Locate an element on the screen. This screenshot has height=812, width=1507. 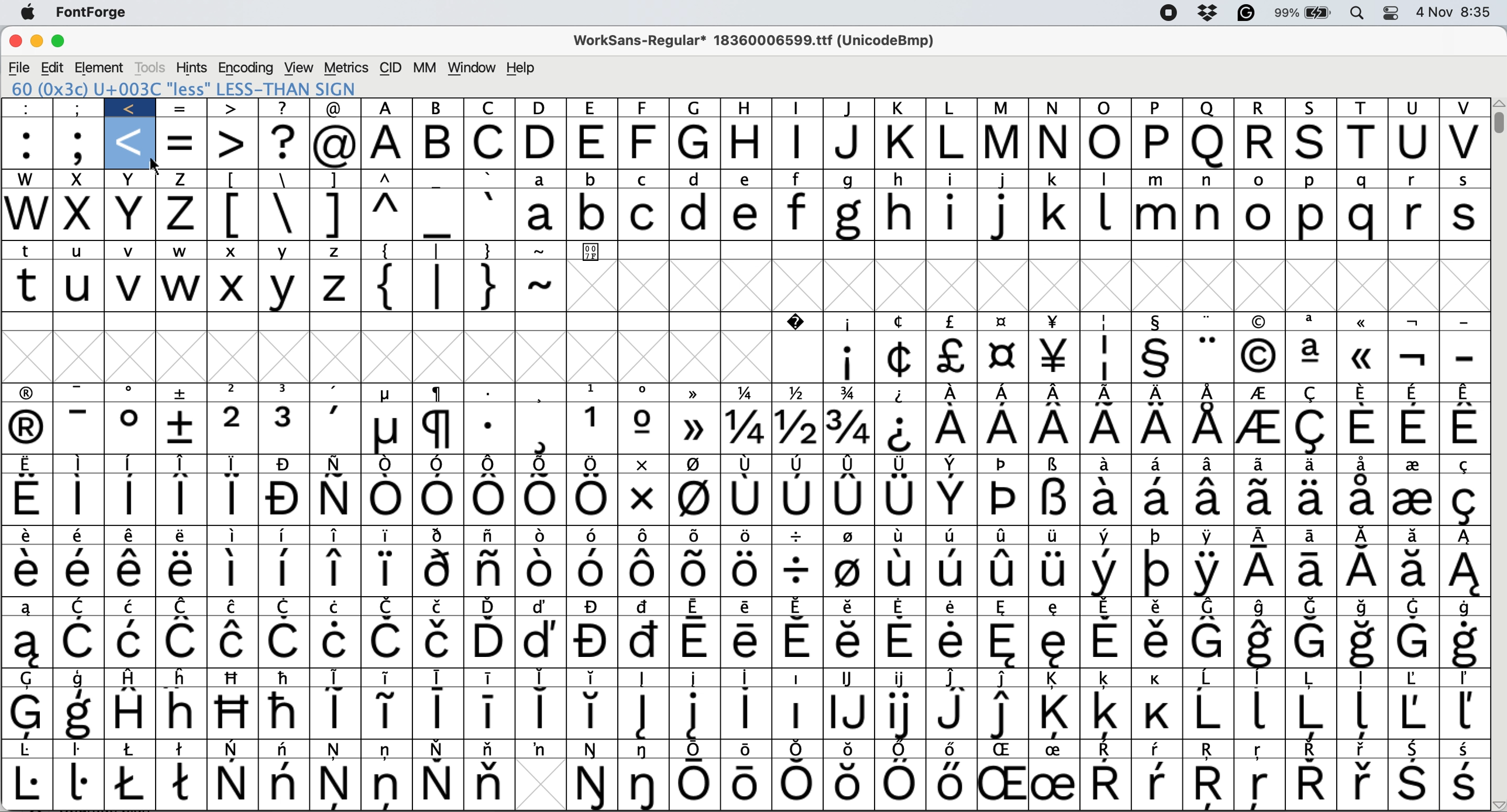
t is located at coordinates (1364, 108).